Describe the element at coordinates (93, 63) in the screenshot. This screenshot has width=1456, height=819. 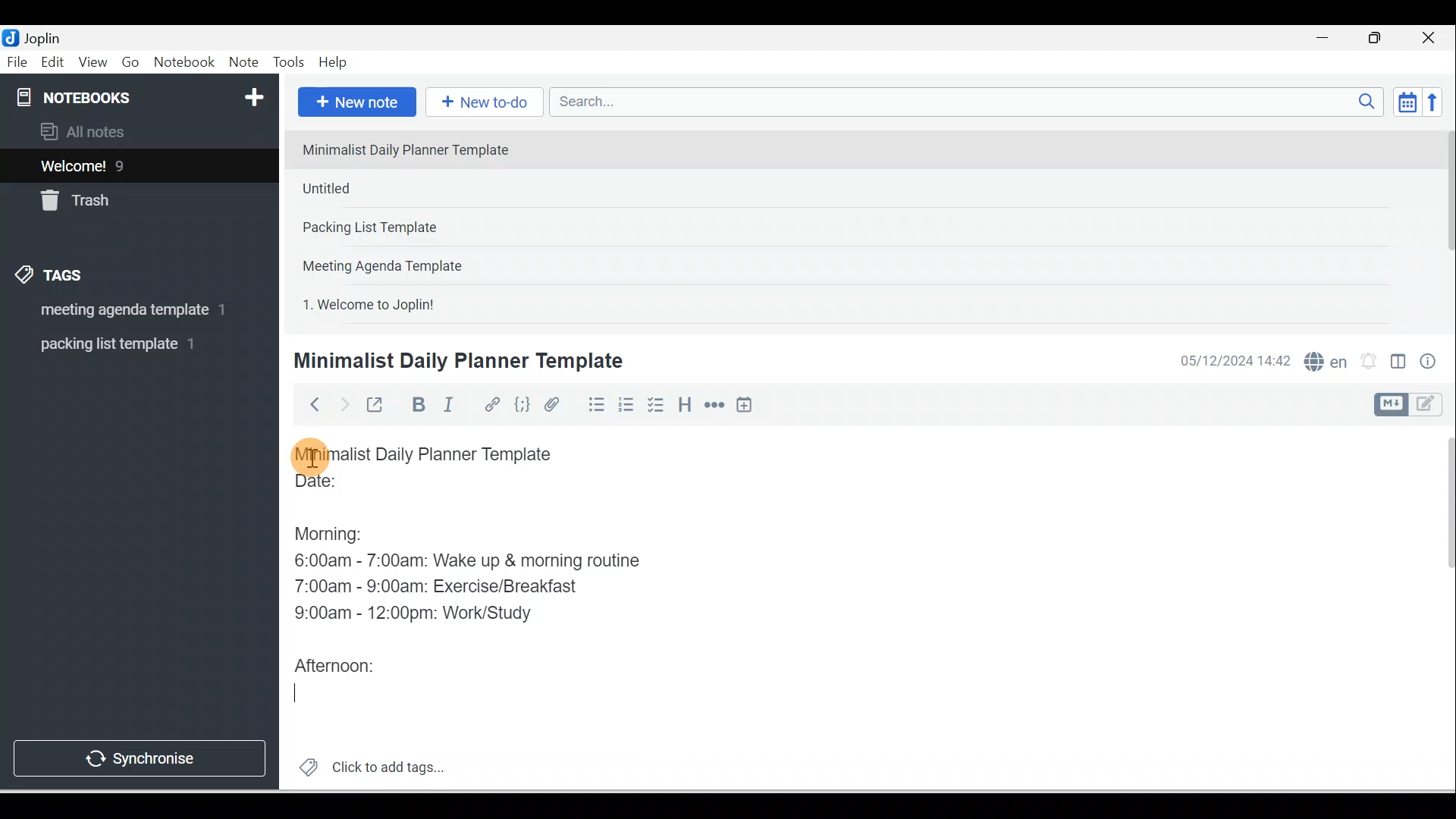
I see `View` at that location.